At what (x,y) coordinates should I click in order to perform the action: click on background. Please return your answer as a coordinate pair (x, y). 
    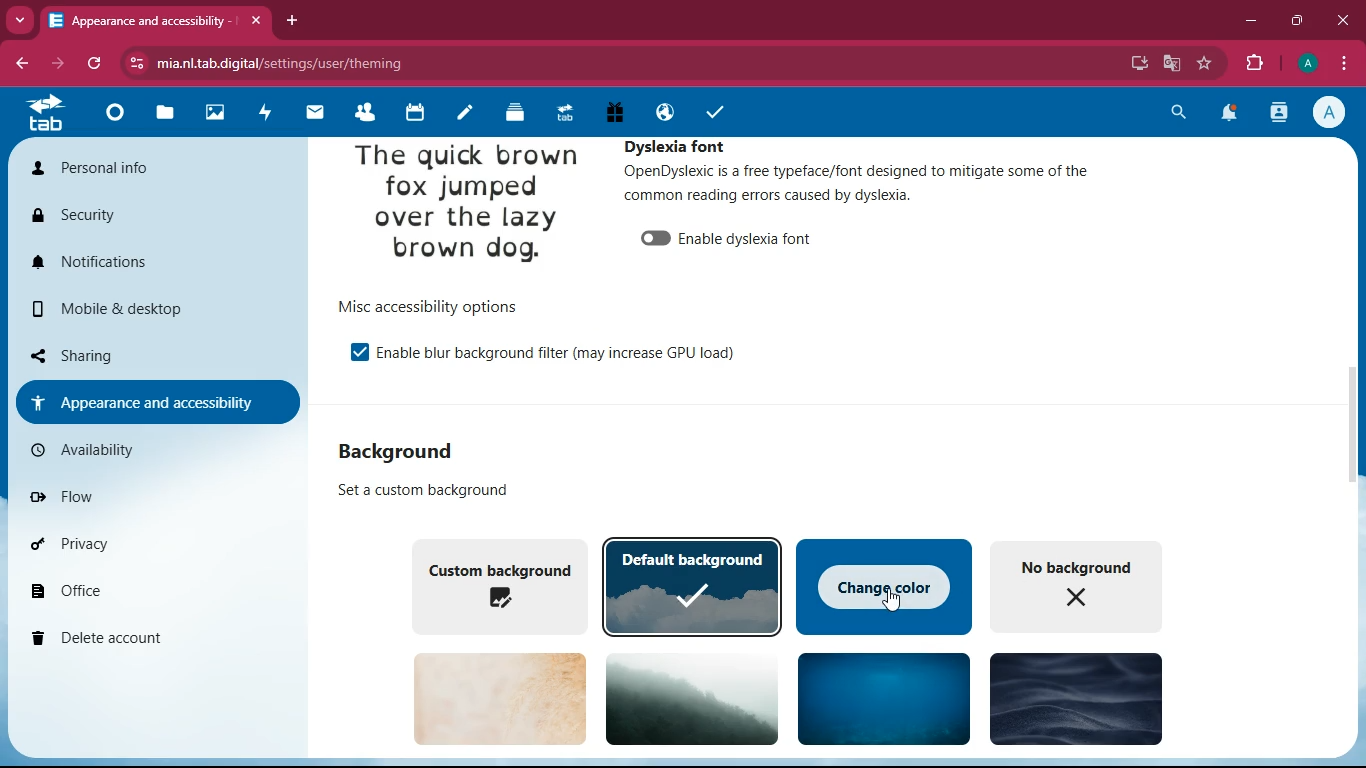
    Looking at the image, I should click on (884, 697).